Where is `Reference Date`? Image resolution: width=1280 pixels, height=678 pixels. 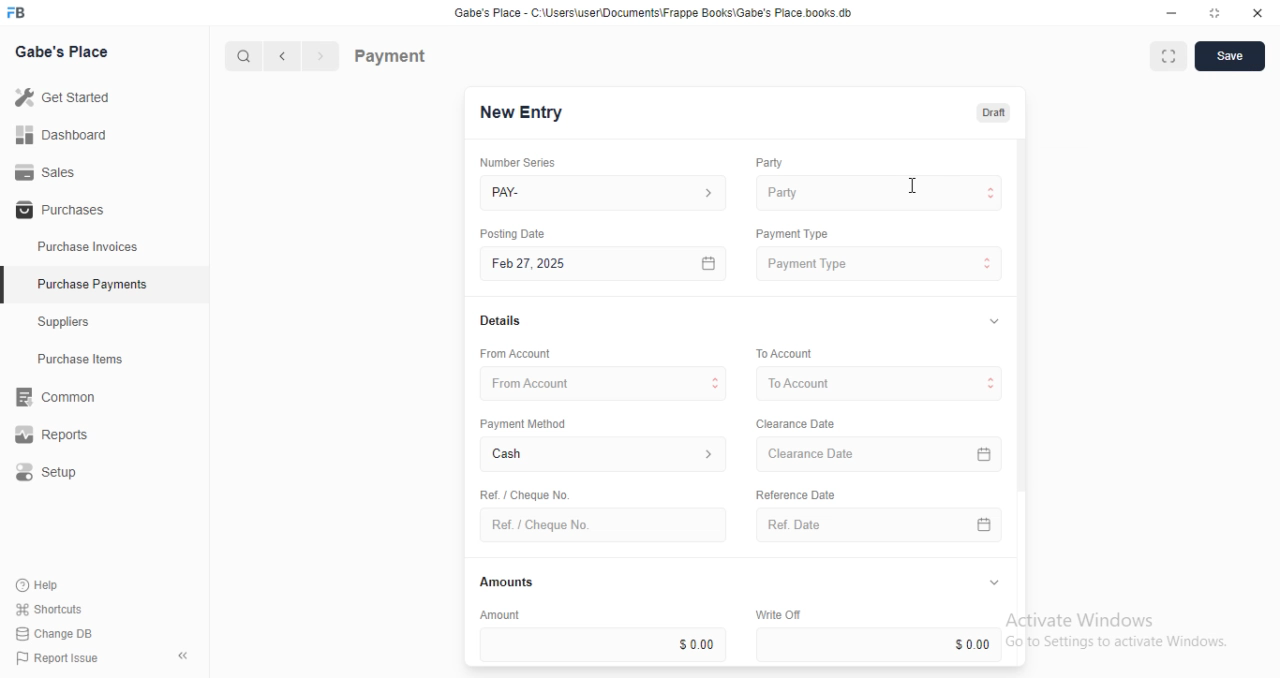
Reference Date is located at coordinates (794, 493).